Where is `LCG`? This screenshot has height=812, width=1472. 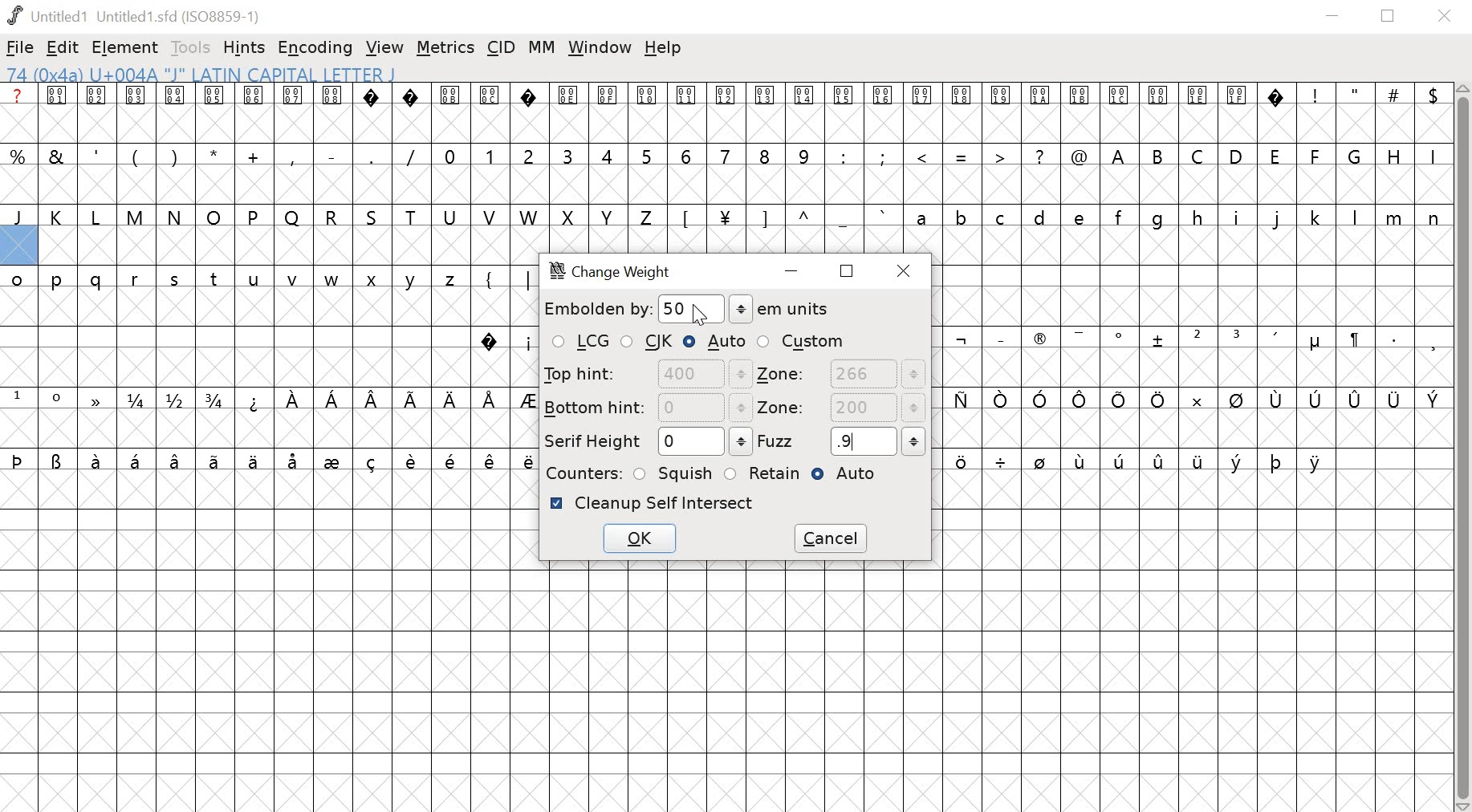
LCG is located at coordinates (579, 343).